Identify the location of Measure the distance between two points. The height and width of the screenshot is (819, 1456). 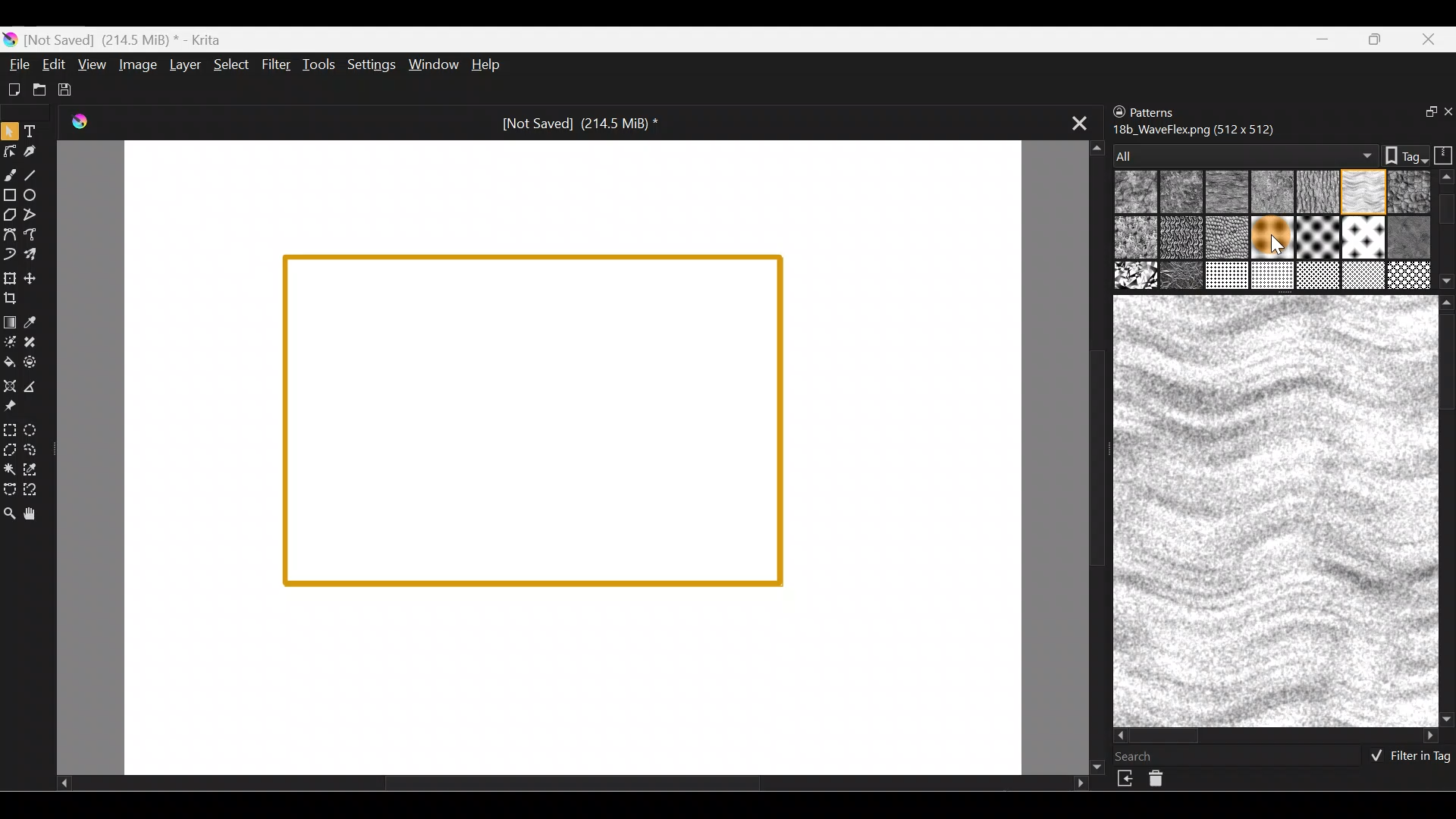
(37, 387).